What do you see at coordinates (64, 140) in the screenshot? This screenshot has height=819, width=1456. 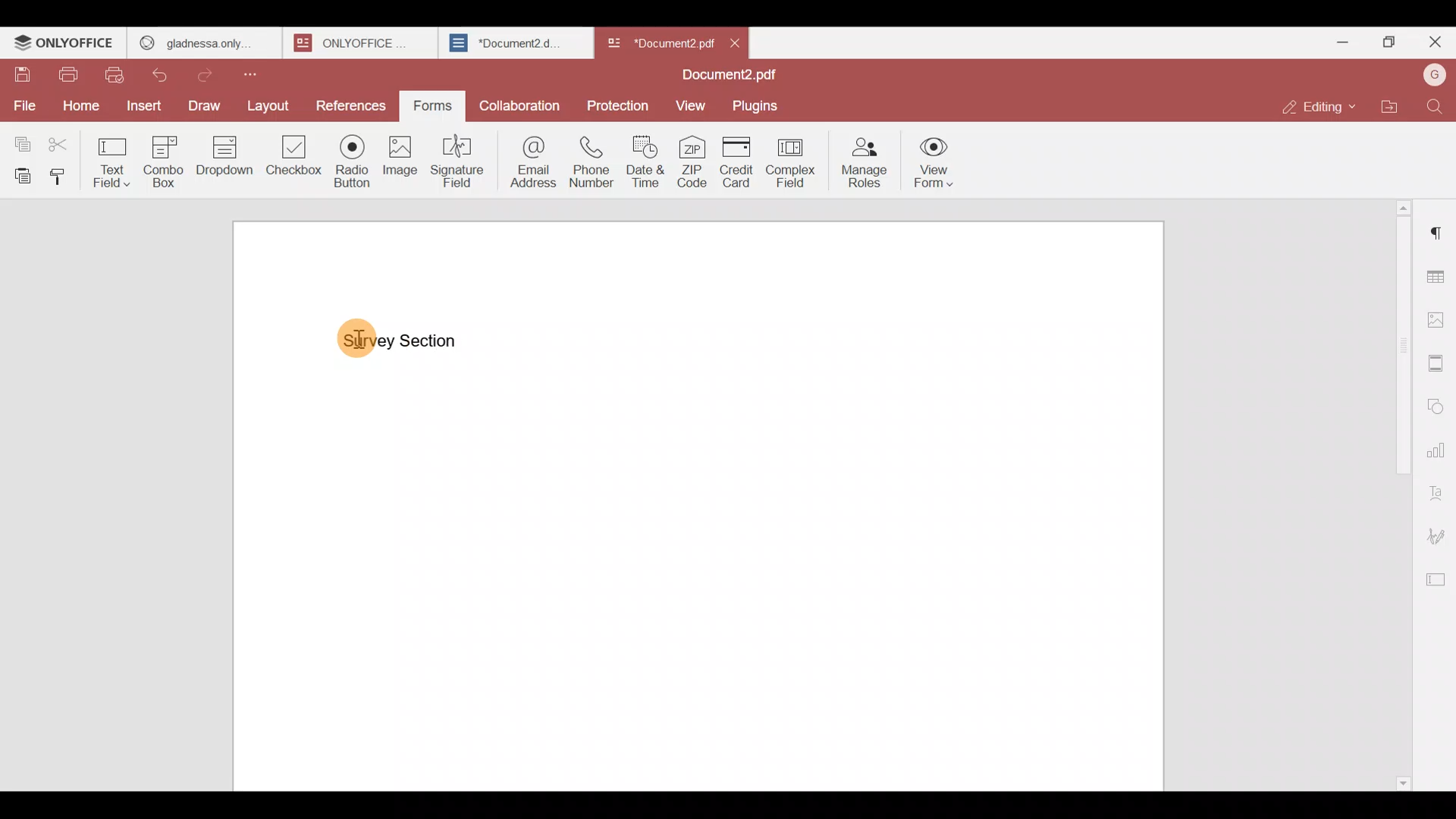 I see `Cut` at bounding box center [64, 140].